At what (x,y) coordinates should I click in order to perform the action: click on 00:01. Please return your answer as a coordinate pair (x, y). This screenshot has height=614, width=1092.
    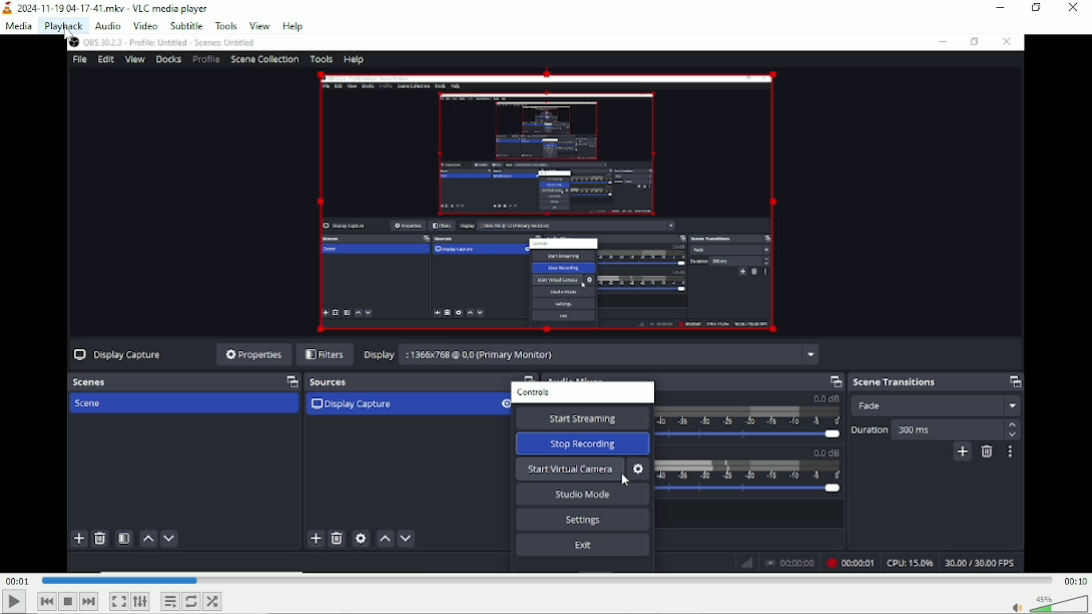
    Looking at the image, I should click on (17, 579).